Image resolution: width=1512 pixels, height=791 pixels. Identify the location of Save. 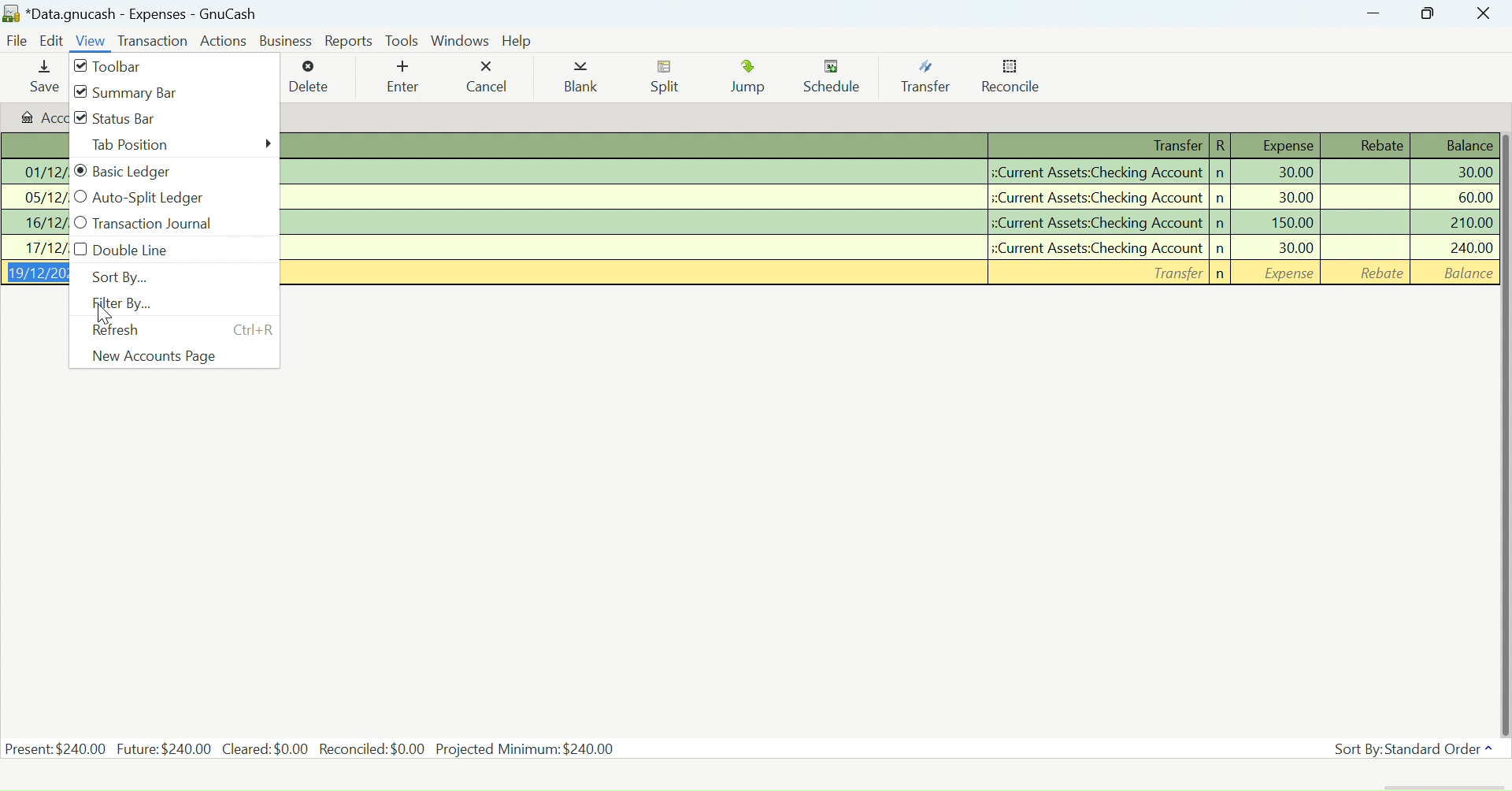
(43, 78).